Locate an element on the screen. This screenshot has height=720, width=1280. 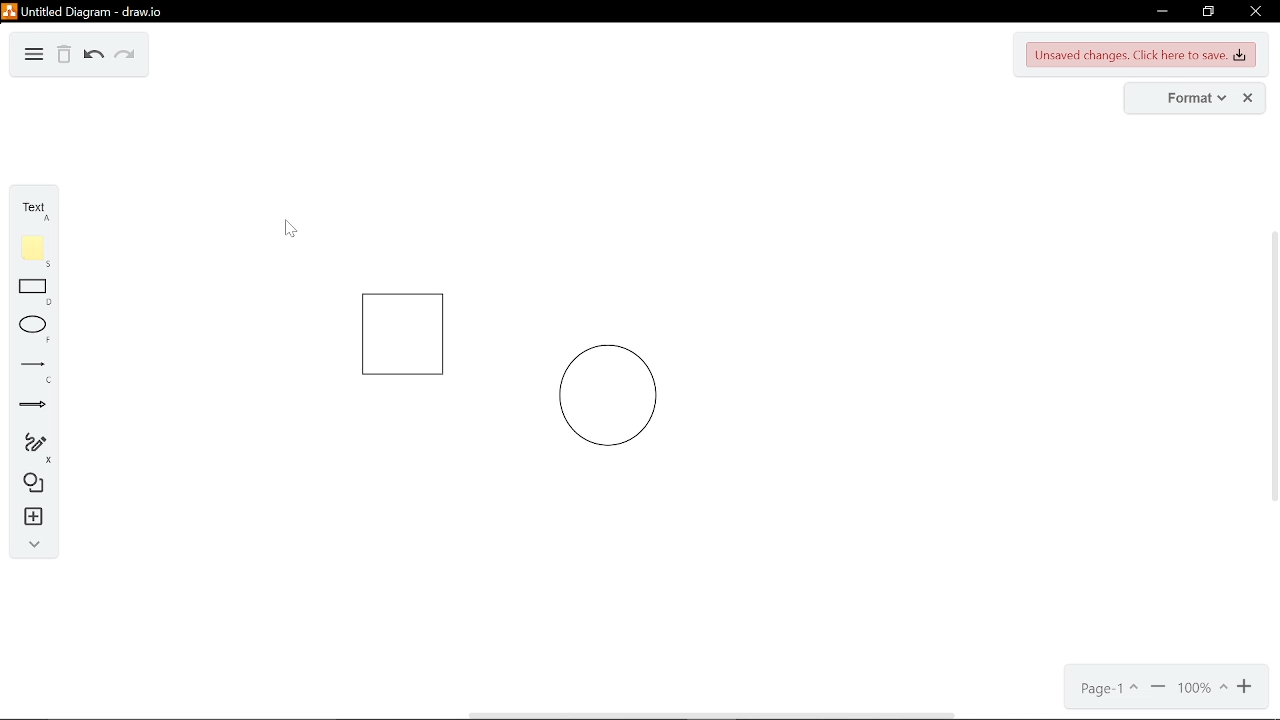
collapse is located at coordinates (28, 544).